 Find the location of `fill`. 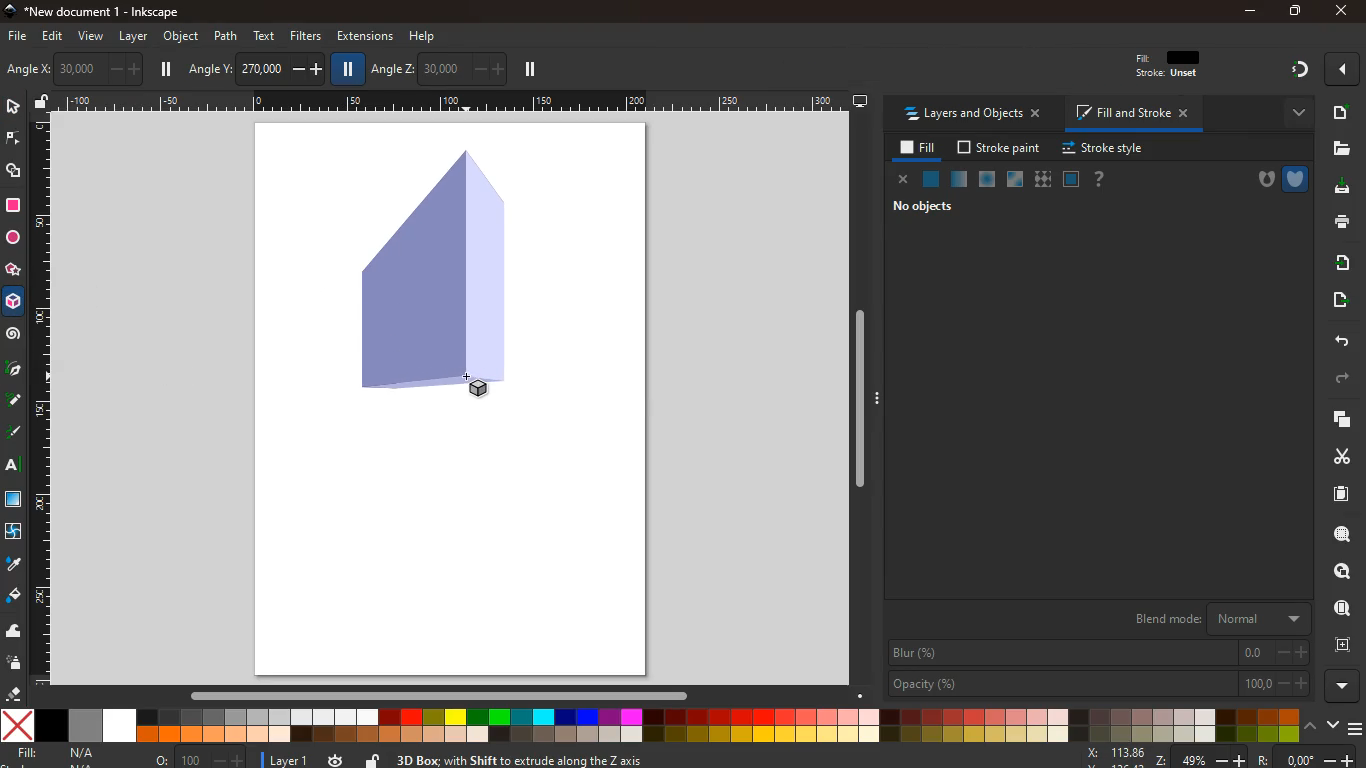

fill is located at coordinates (915, 148).